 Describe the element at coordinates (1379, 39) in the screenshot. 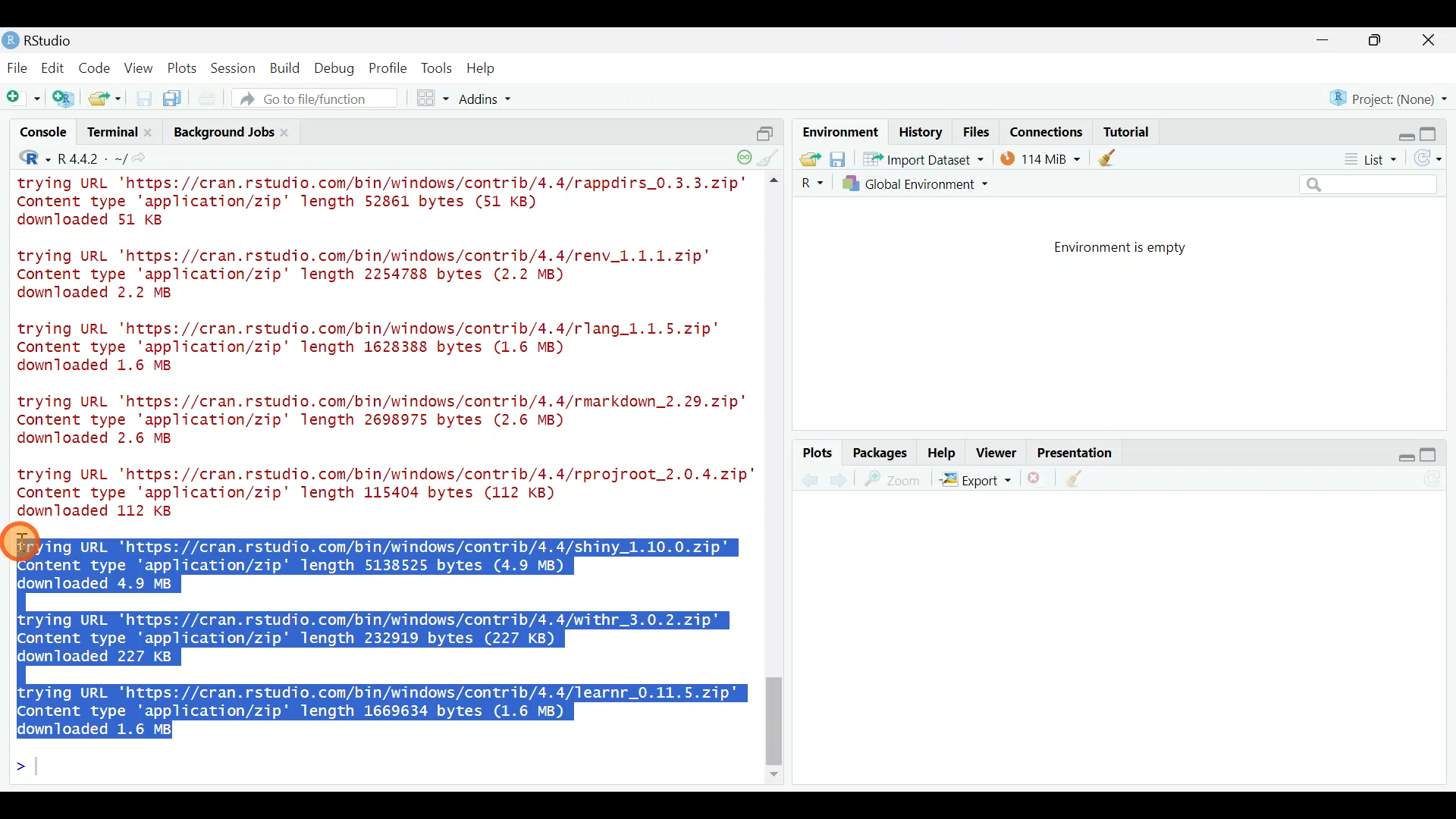

I see `maximize` at that location.